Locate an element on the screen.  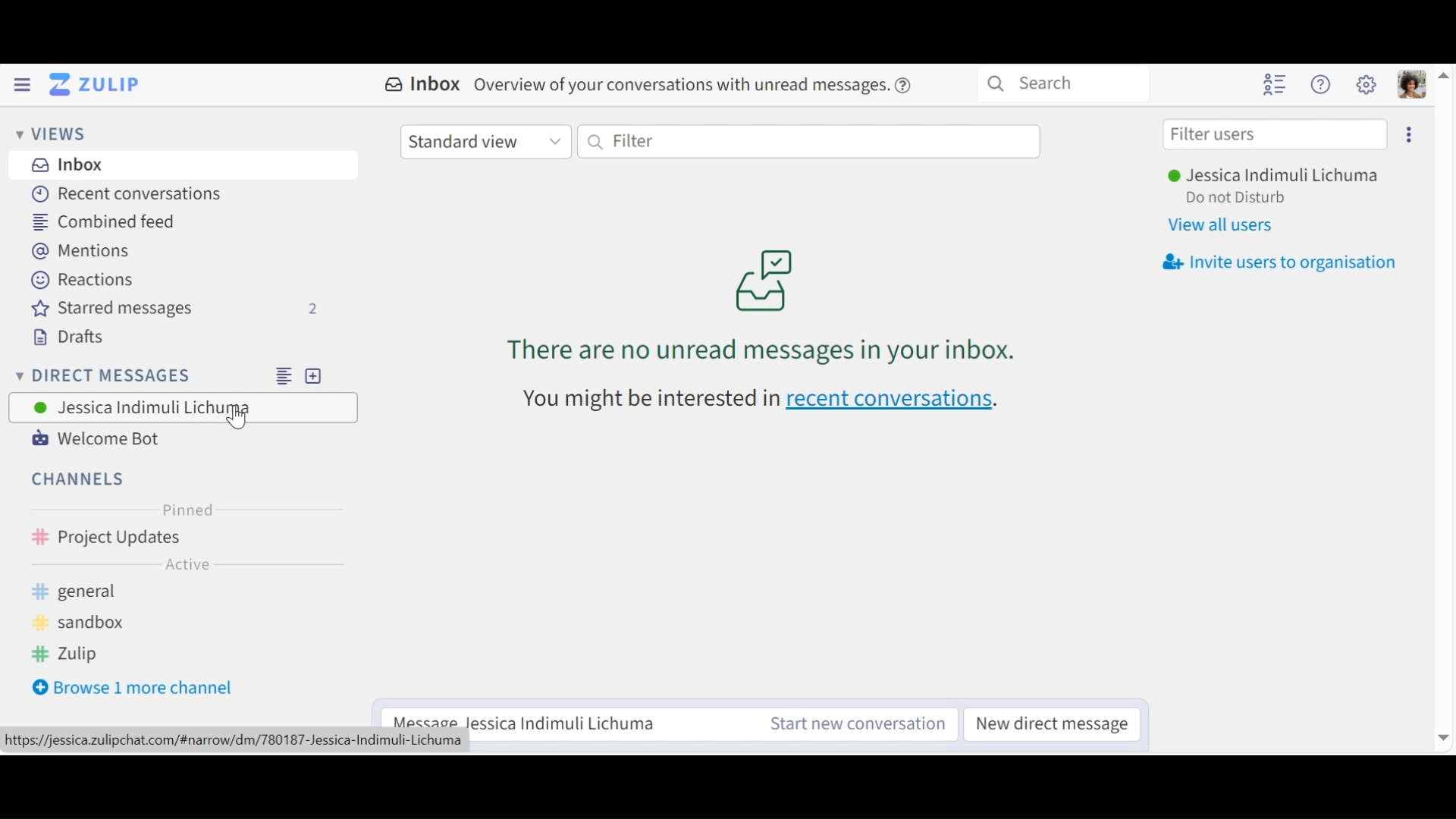
Channels is located at coordinates (80, 481).